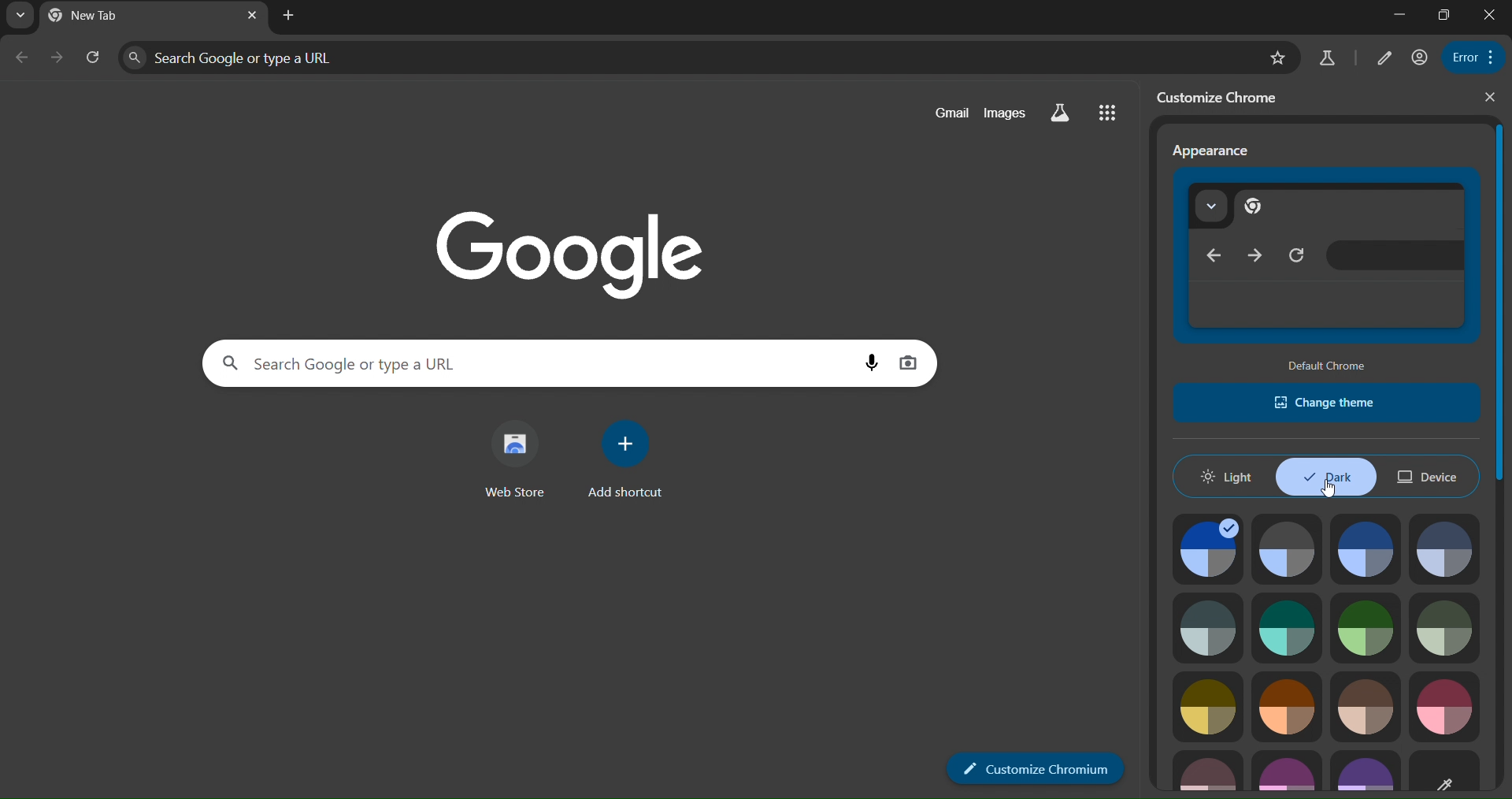 The width and height of the screenshot is (1512, 799). Describe the element at coordinates (1325, 403) in the screenshot. I see `change theme` at that location.